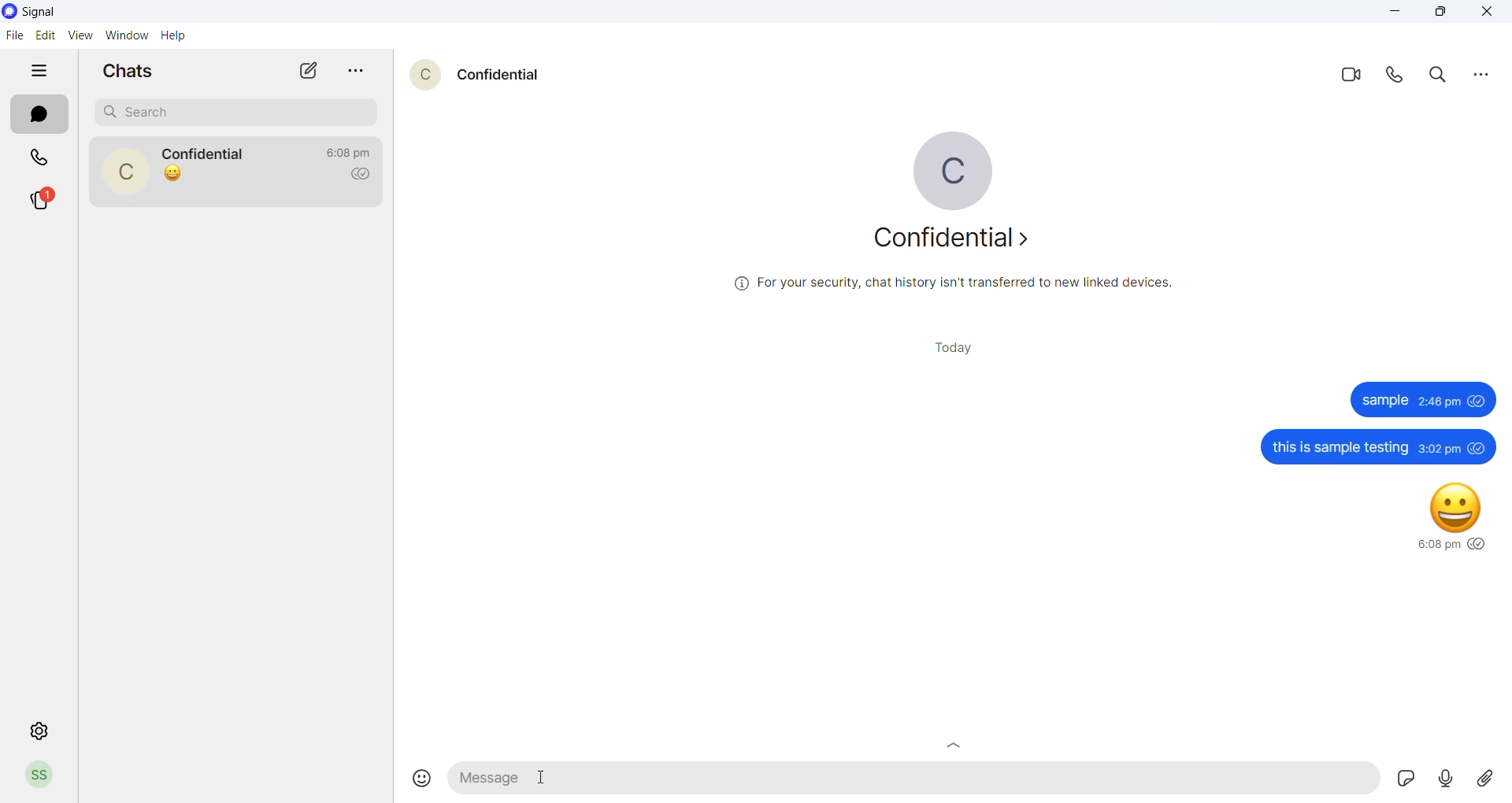 This screenshot has height=803, width=1512. What do you see at coordinates (41, 71) in the screenshot?
I see `hide` at bounding box center [41, 71].